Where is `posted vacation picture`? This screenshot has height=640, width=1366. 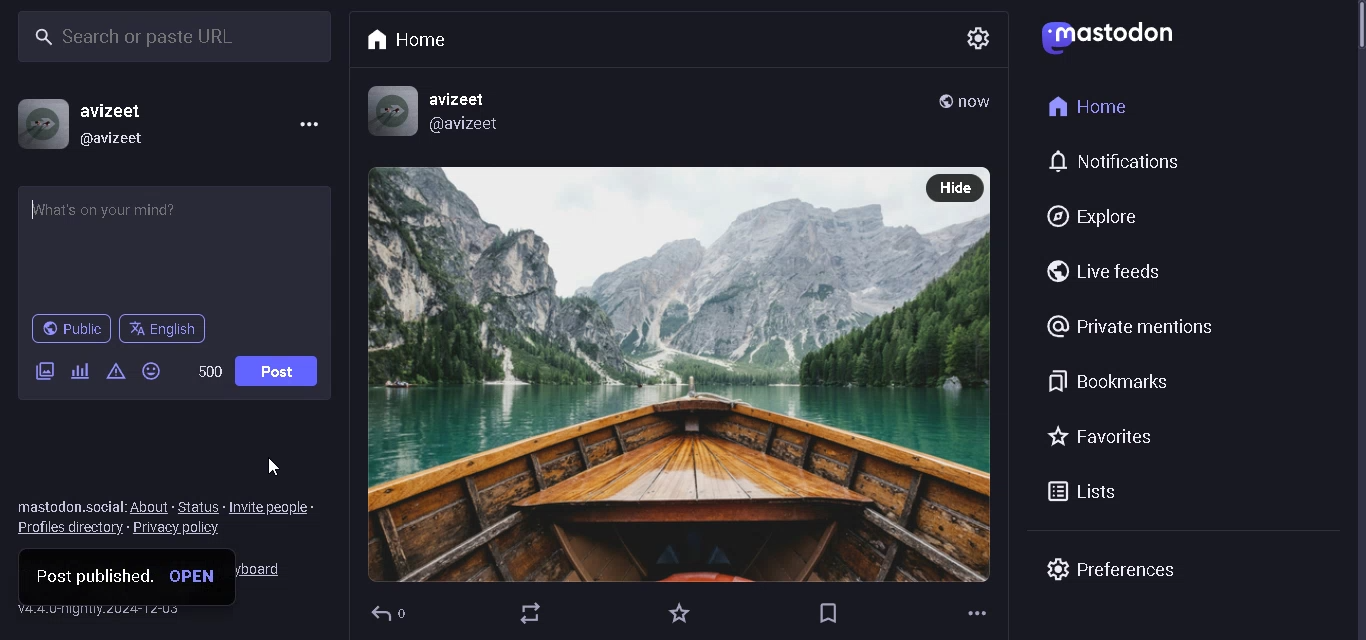 posted vacation picture is located at coordinates (644, 375).